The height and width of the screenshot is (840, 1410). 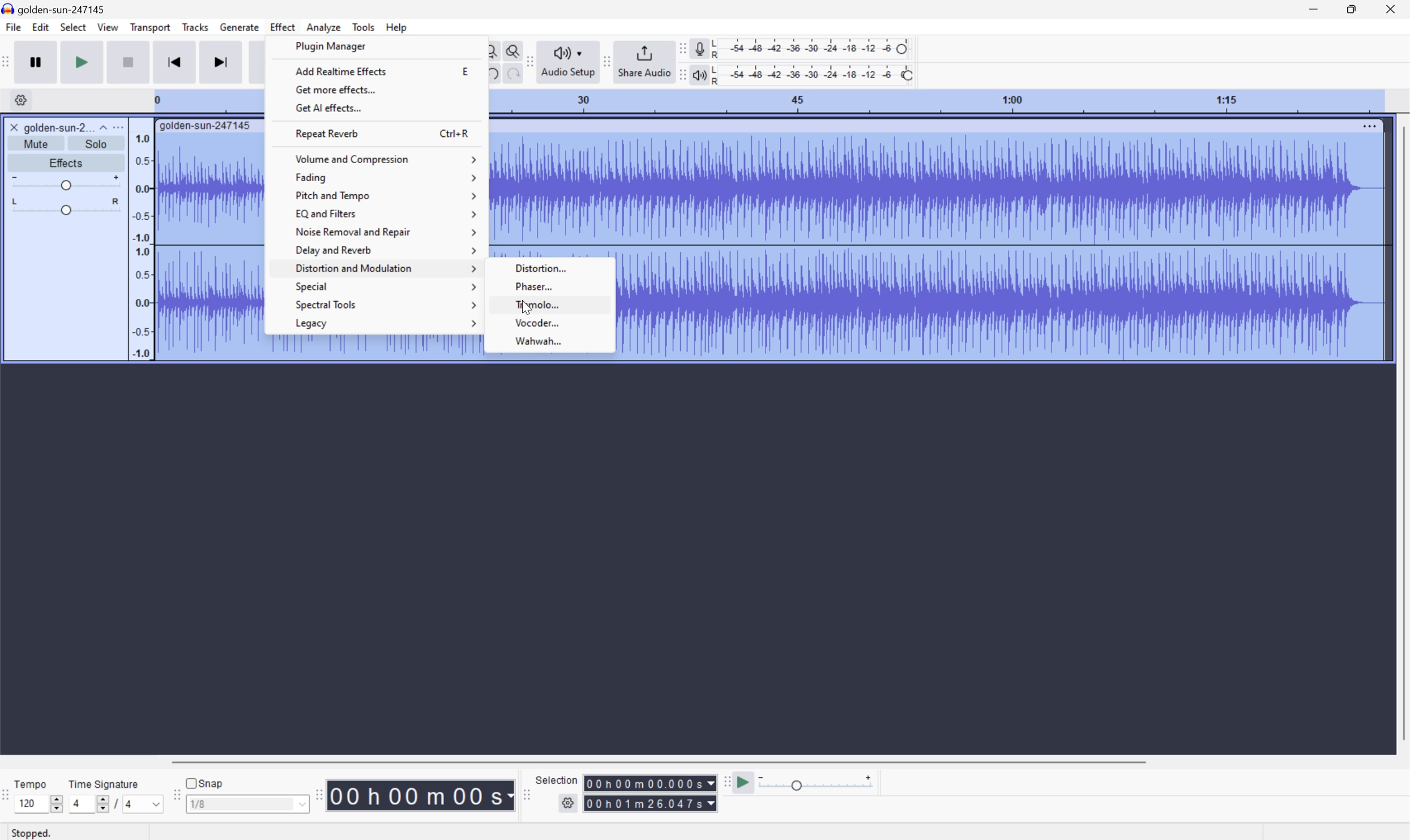 What do you see at coordinates (339, 70) in the screenshot?
I see `Add realtime effects` at bounding box center [339, 70].